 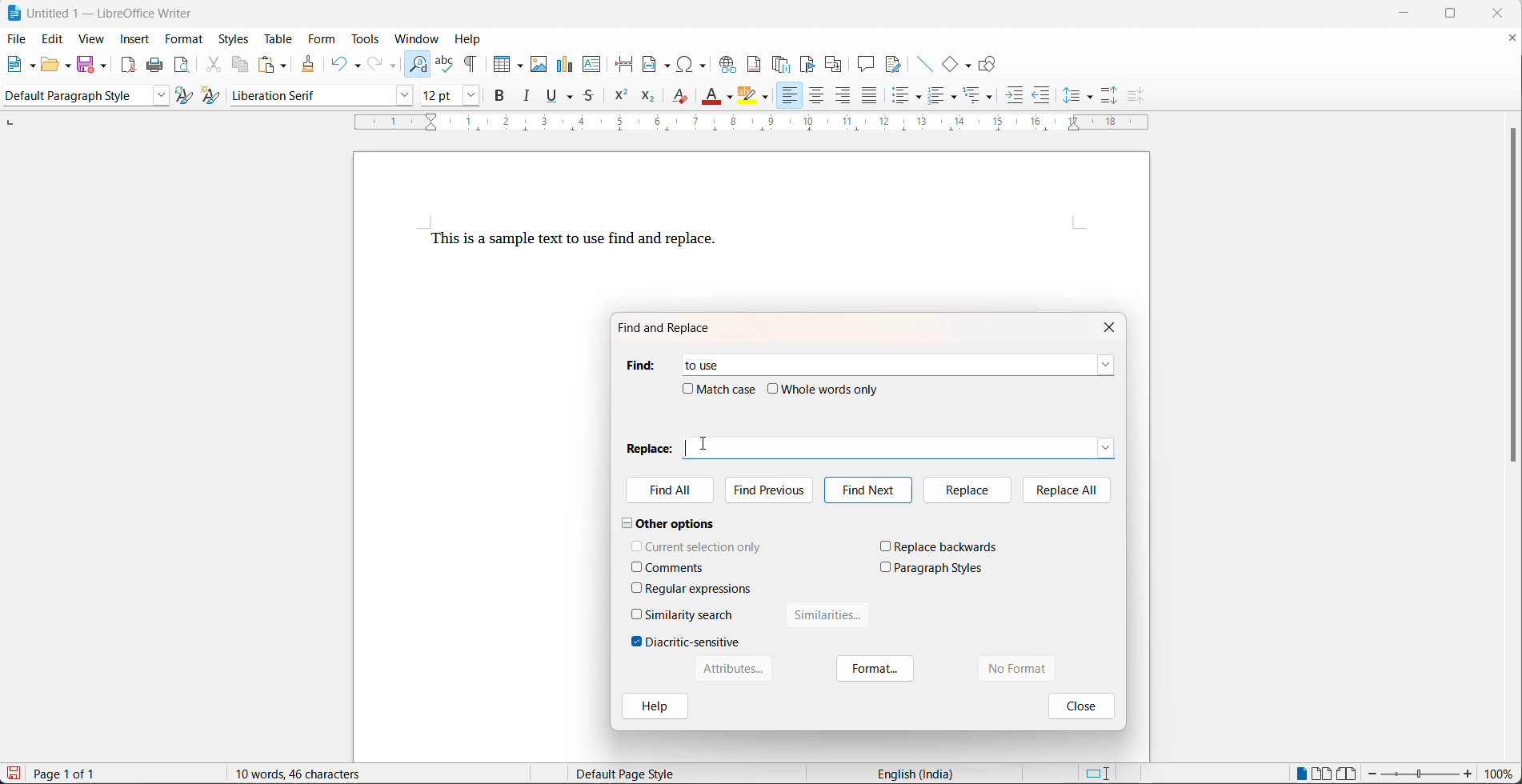 What do you see at coordinates (924, 64) in the screenshot?
I see `insert lines` at bounding box center [924, 64].